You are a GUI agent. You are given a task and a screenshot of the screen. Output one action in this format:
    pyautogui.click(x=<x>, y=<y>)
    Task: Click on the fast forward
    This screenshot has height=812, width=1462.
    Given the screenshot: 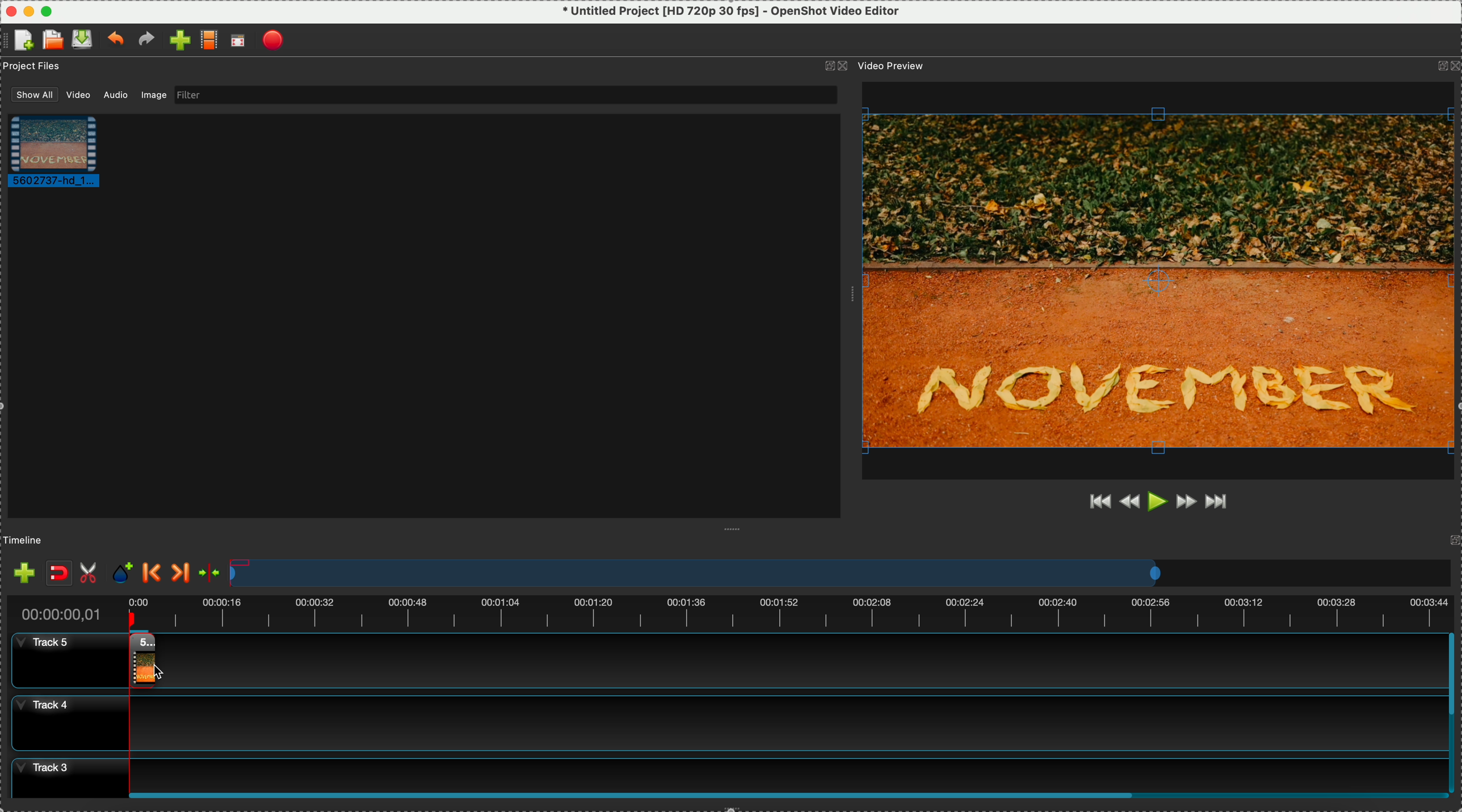 What is the action you would take?
    pyautogui.click(x=1186, y=504)
    